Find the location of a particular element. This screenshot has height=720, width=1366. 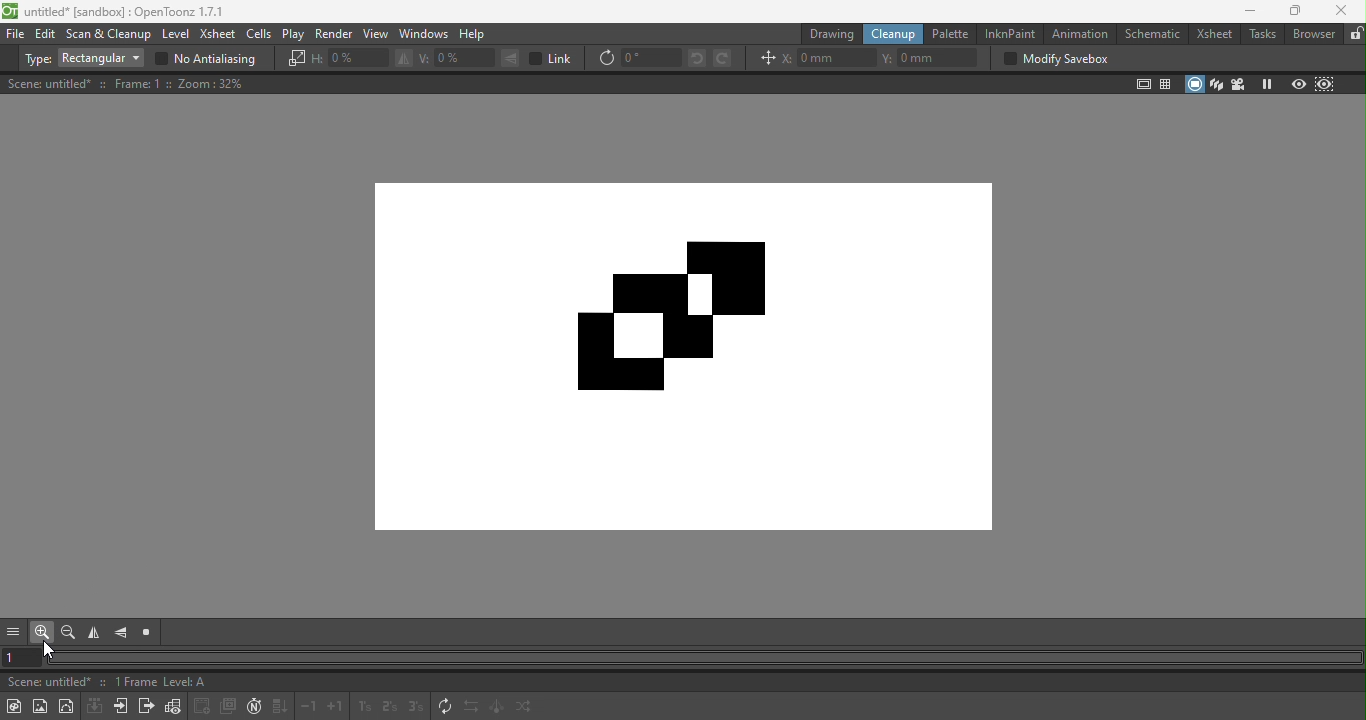

Camera stand view is located at coordinates (1194, 84).